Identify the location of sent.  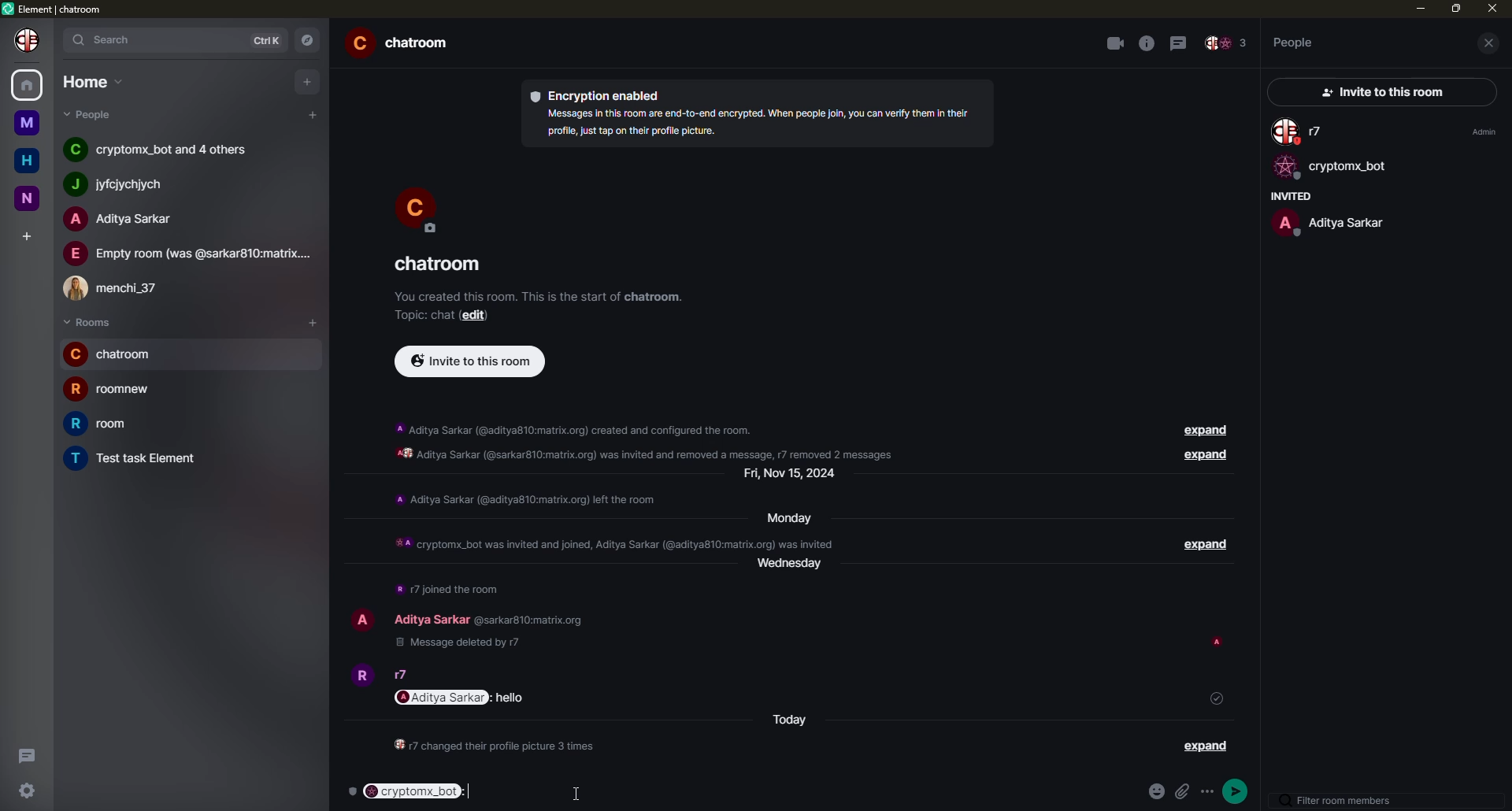
(1217, 698).